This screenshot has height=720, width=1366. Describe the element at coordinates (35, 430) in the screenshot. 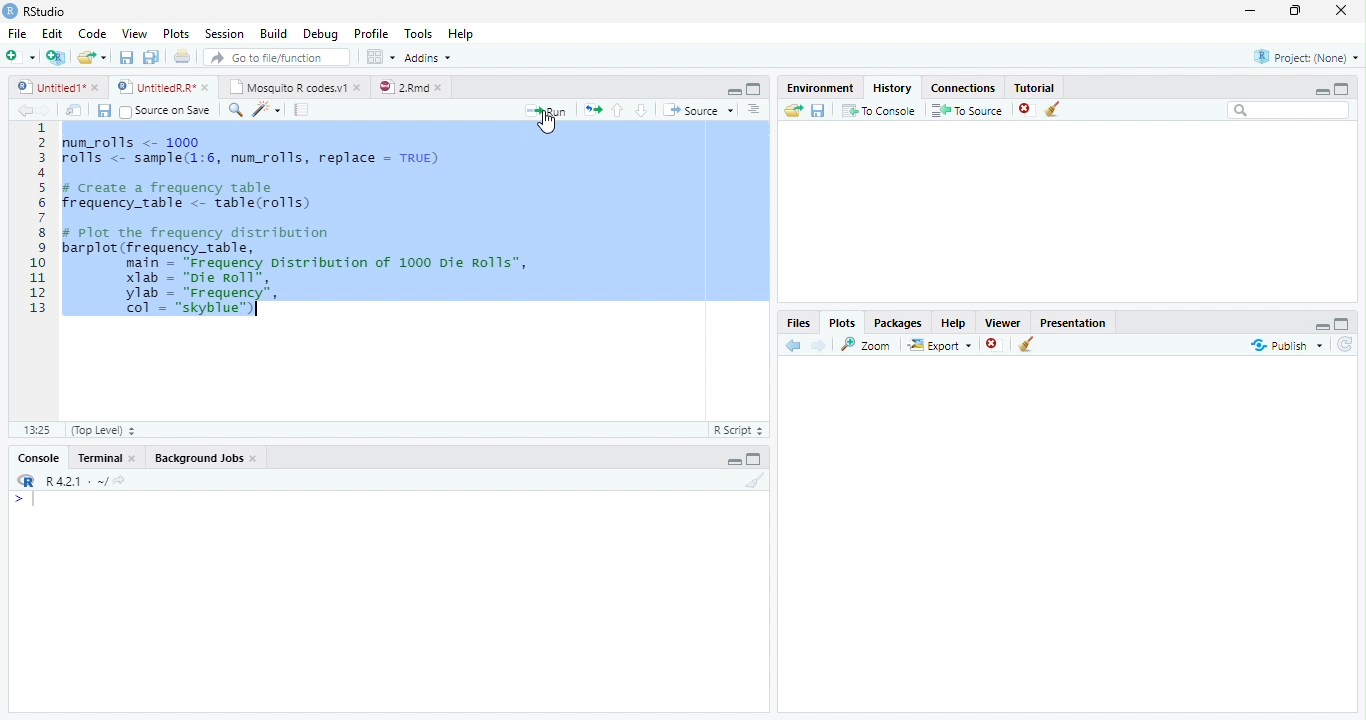

I see `1:1` at that location.